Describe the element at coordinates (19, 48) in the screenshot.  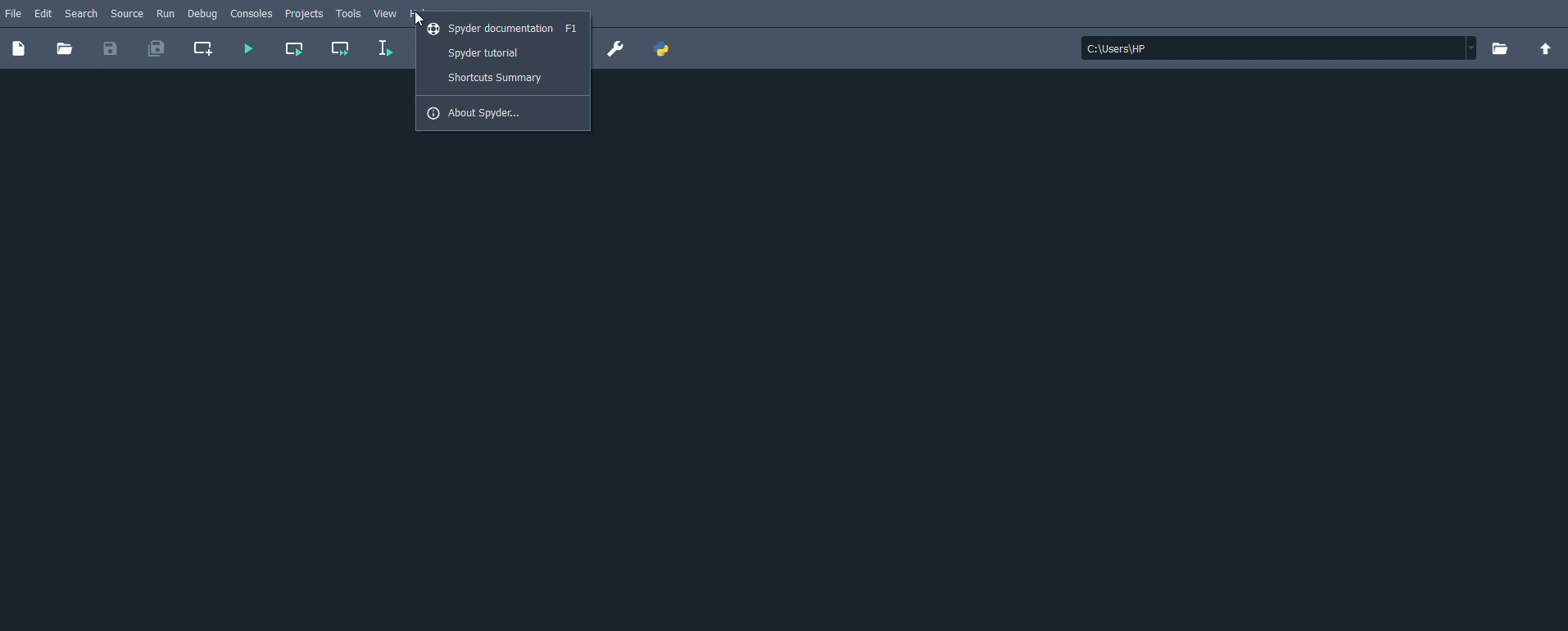
I see `New file` at that location.